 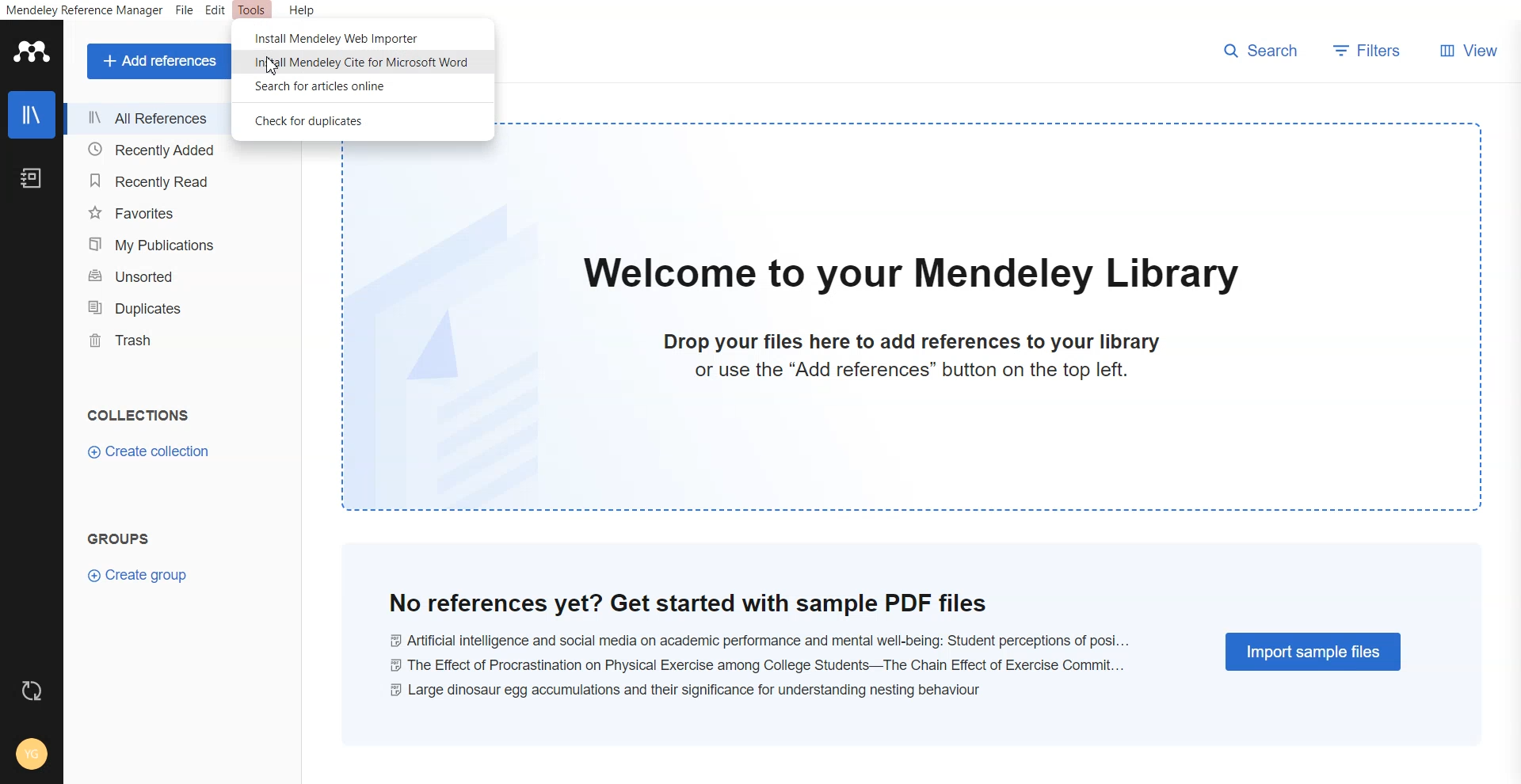 I want to click on welcome to our mendeley library, so click(x=913, y=275).